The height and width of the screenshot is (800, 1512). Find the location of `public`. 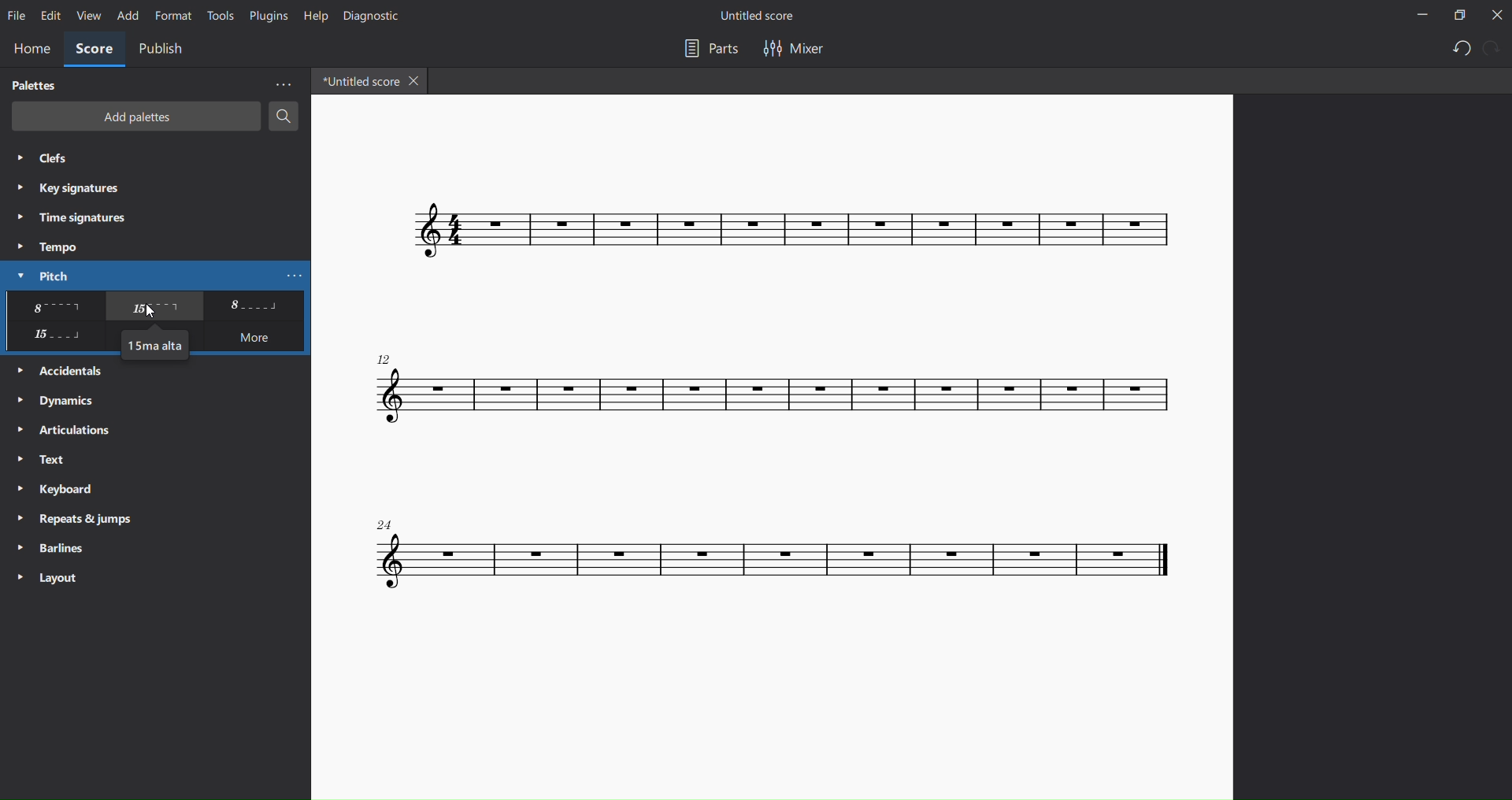

public is located at coordinates (165, 51).